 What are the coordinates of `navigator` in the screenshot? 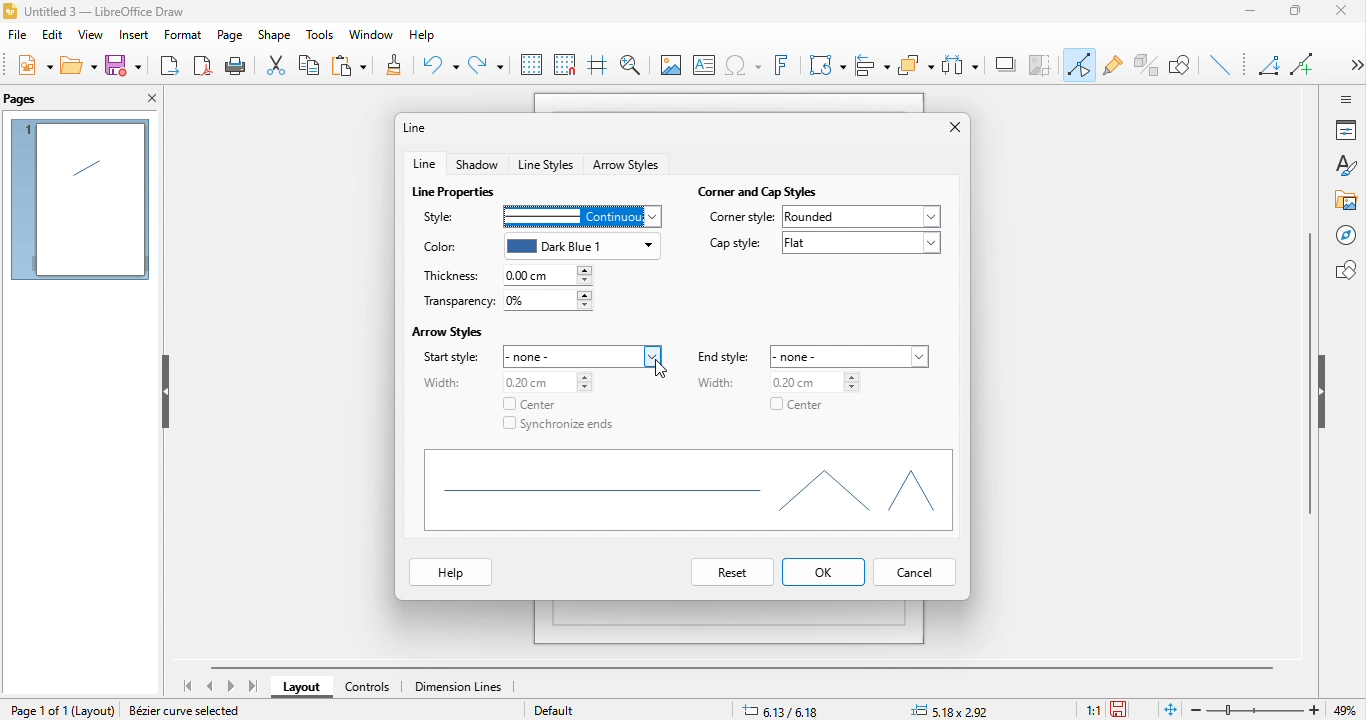 It's located at (1345, 235).